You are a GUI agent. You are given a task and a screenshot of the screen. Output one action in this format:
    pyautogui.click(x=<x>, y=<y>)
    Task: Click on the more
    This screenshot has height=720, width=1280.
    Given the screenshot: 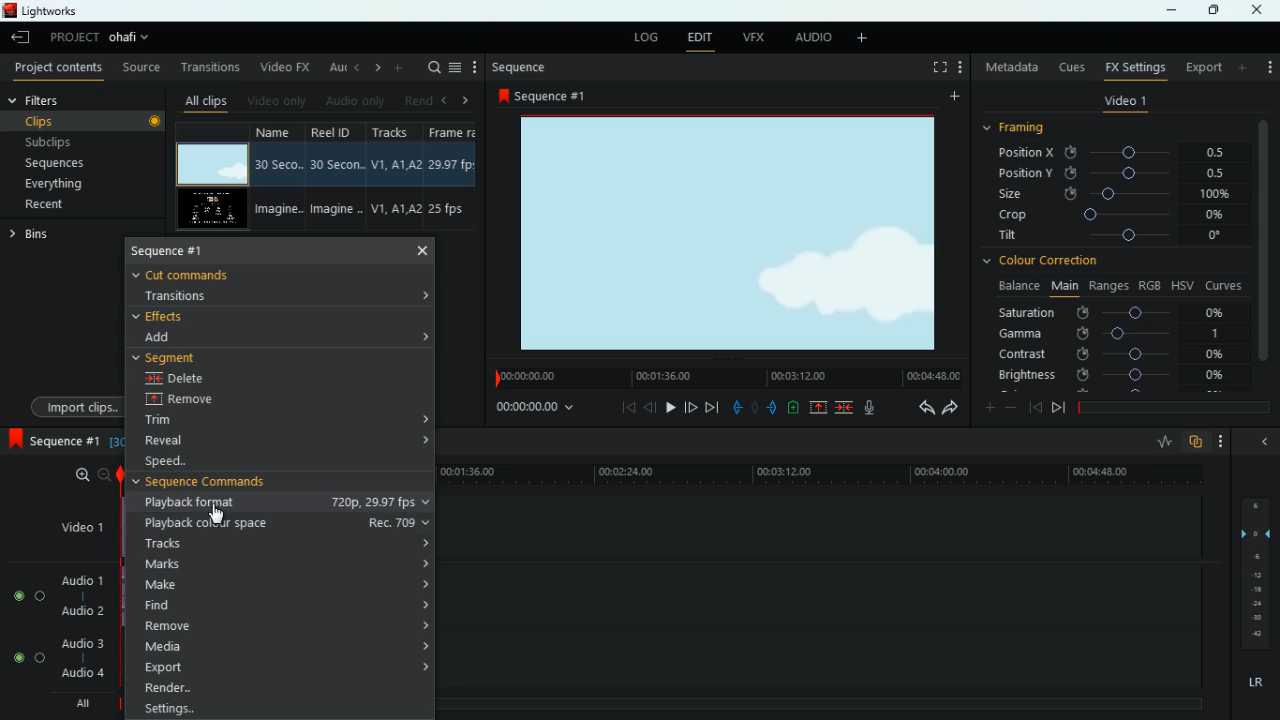 What is the action you would take?
    pyautogui.click(x=477, y=67)
    